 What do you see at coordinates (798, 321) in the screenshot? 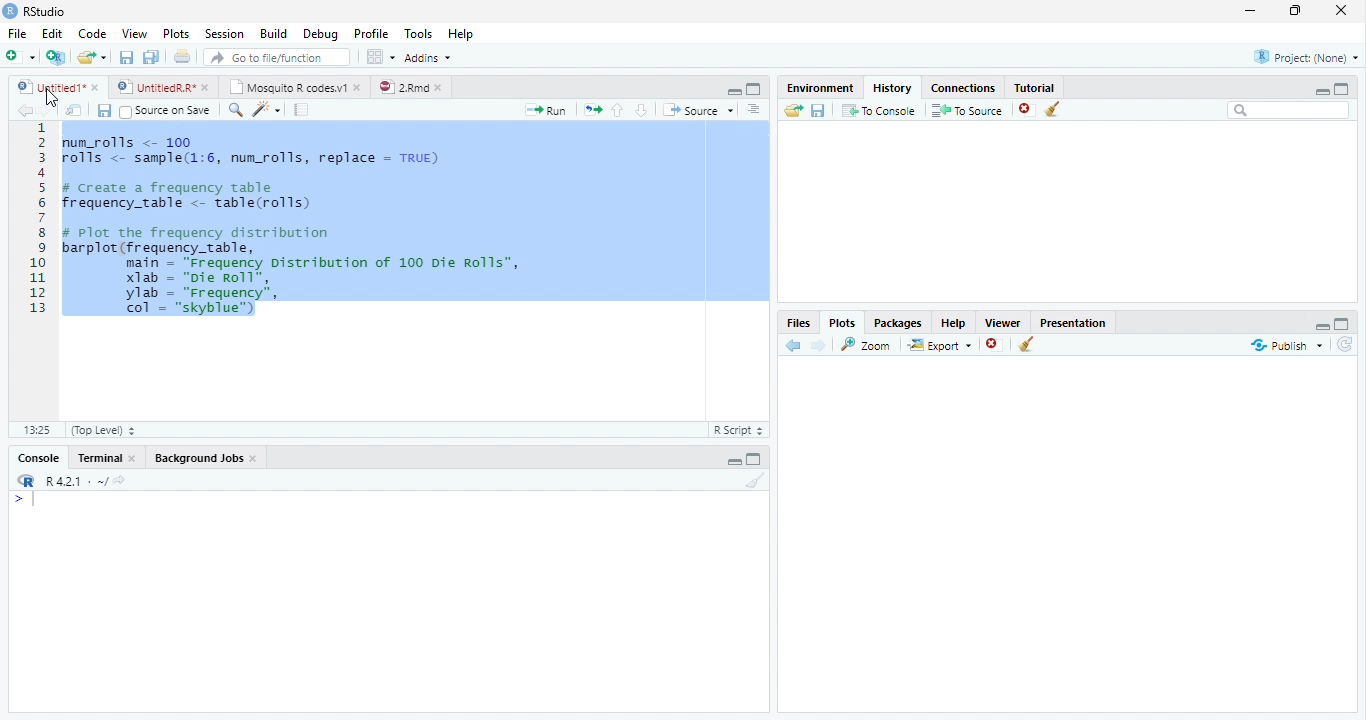
I see `Files` at bounding box center [798, 321].